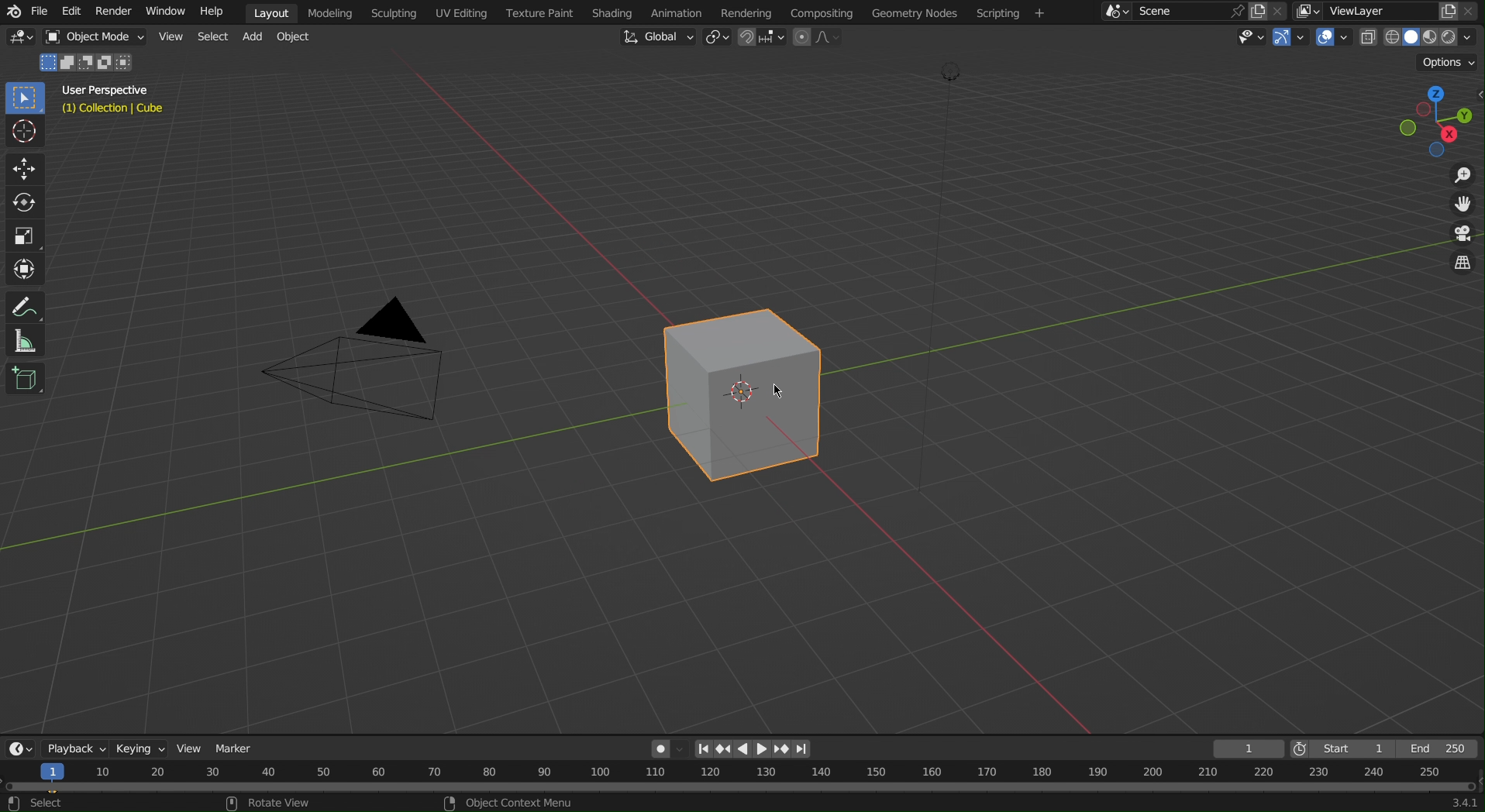  Describe the element at coordinates (722, 749) in the screenshot. I see `Previous` at that location.